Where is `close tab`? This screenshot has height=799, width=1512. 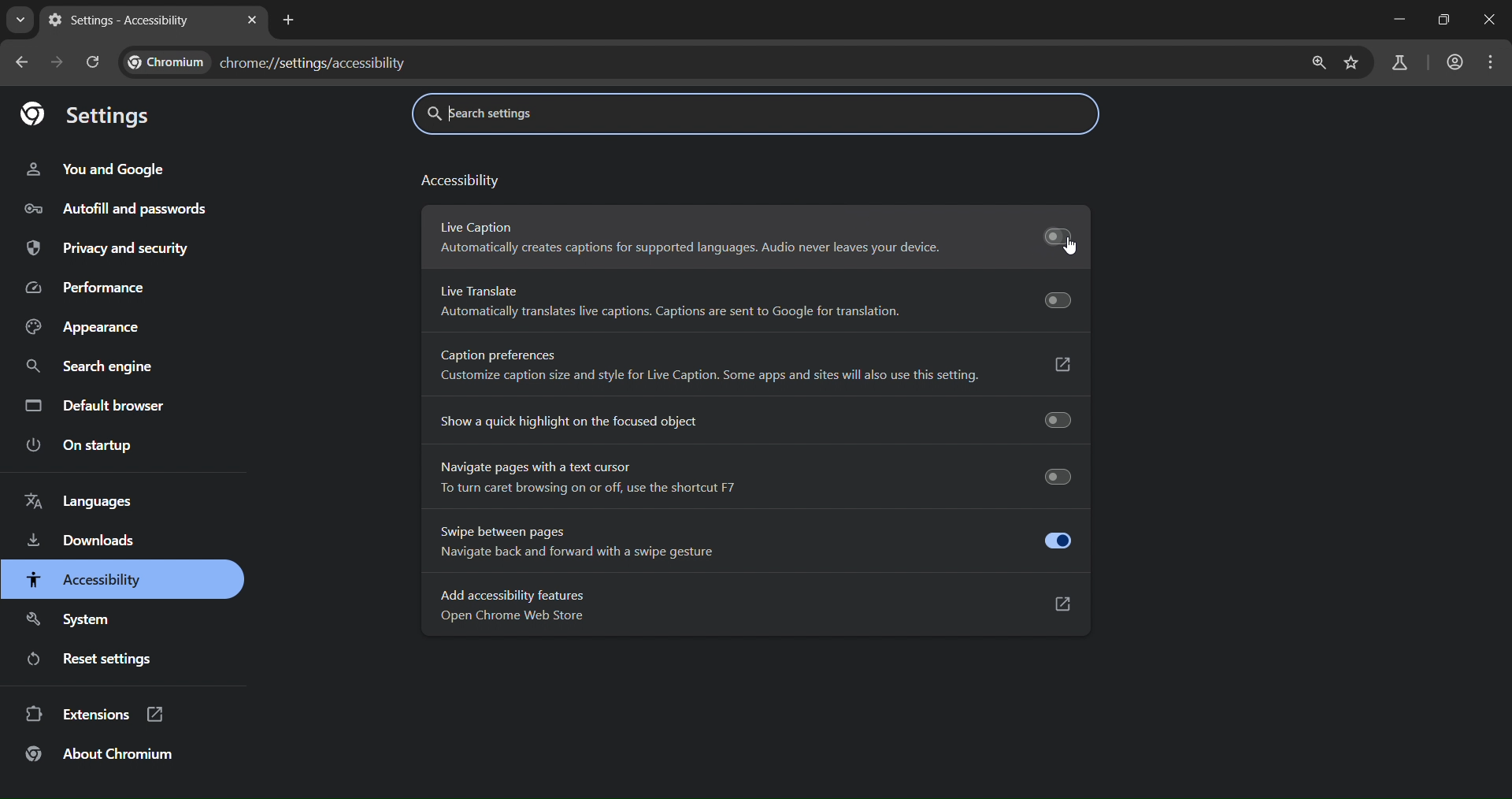
close tab is located at coordinates (254, 23).